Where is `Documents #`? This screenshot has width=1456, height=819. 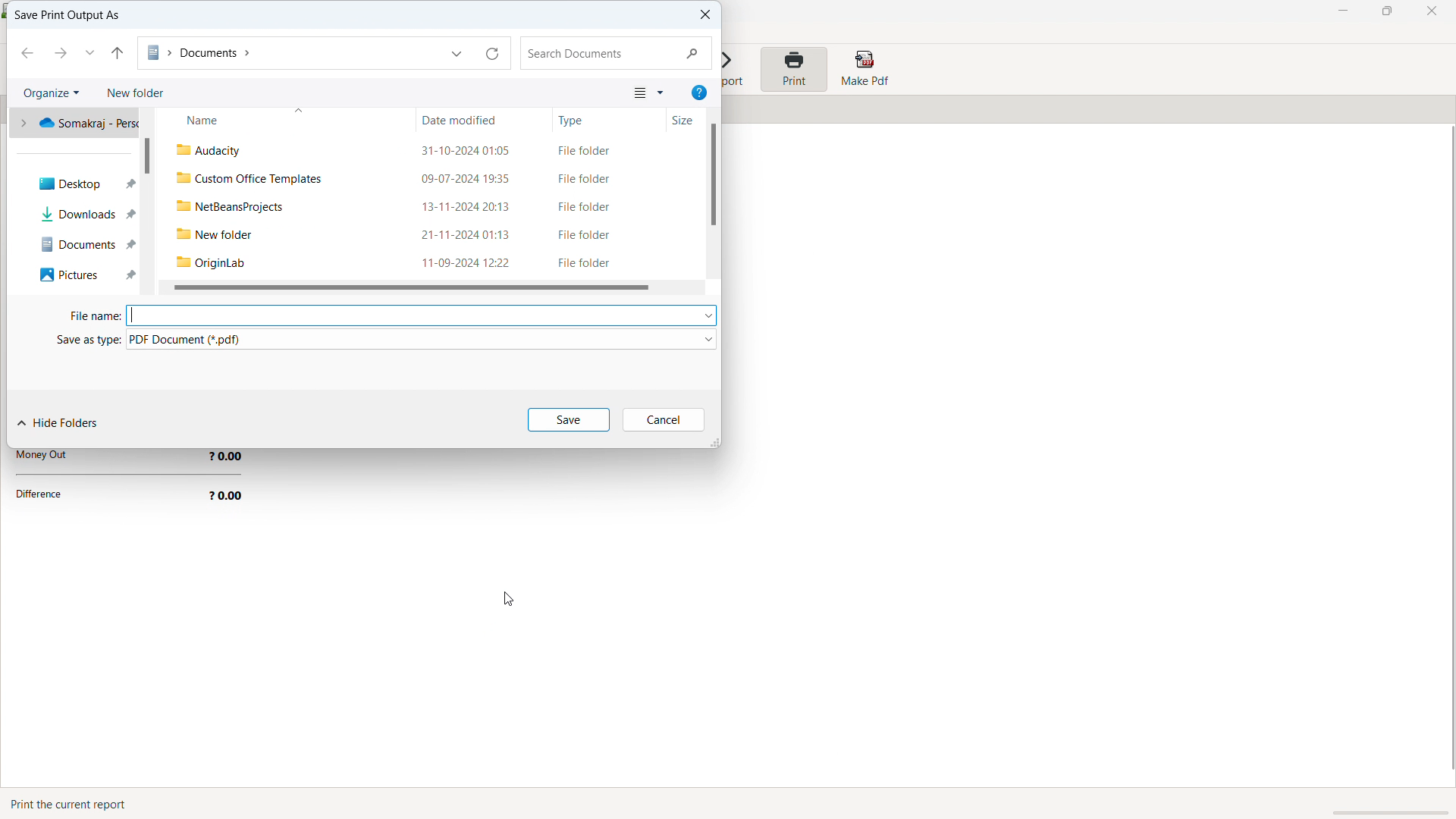
Documents # is located at coordinates (81, 241).